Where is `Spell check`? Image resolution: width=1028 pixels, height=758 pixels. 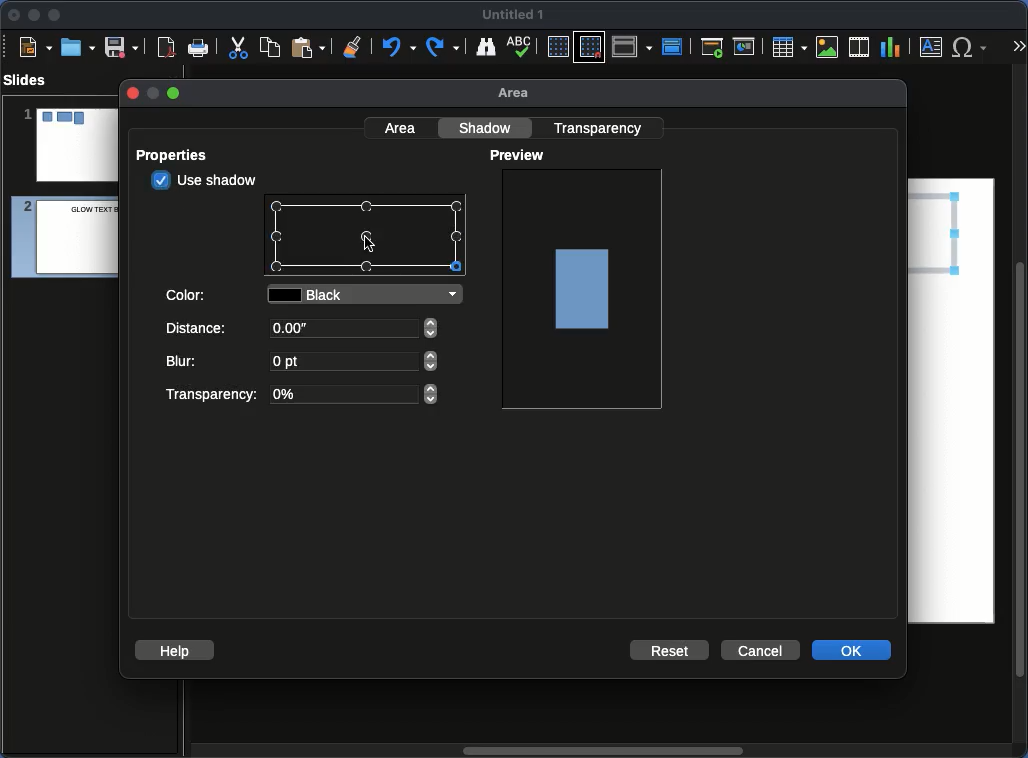
Spell check is located at coordinates (521, 48).